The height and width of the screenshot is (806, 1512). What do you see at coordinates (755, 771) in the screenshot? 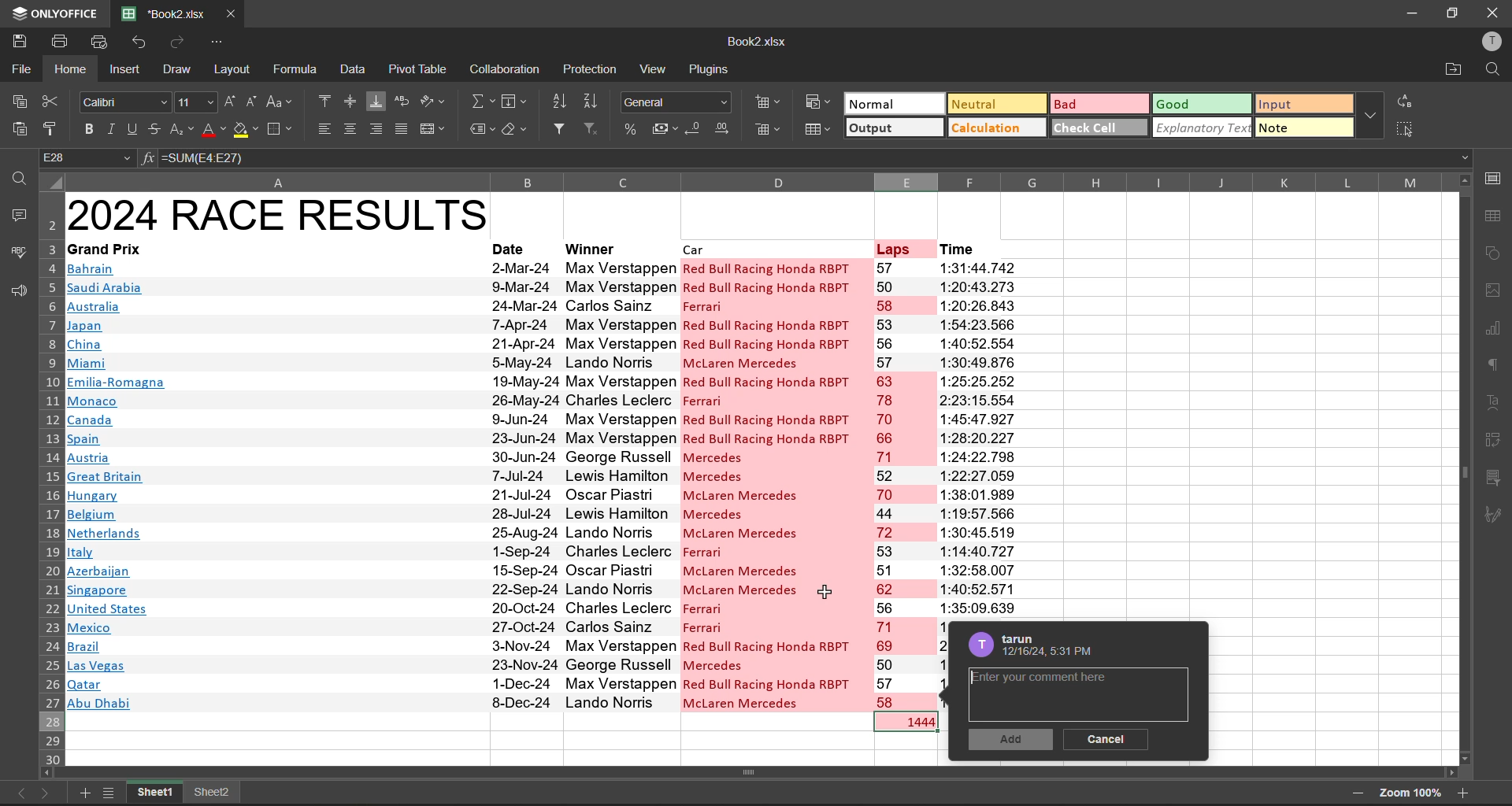
I see `scrollbar` at bounding box center [755, 771].